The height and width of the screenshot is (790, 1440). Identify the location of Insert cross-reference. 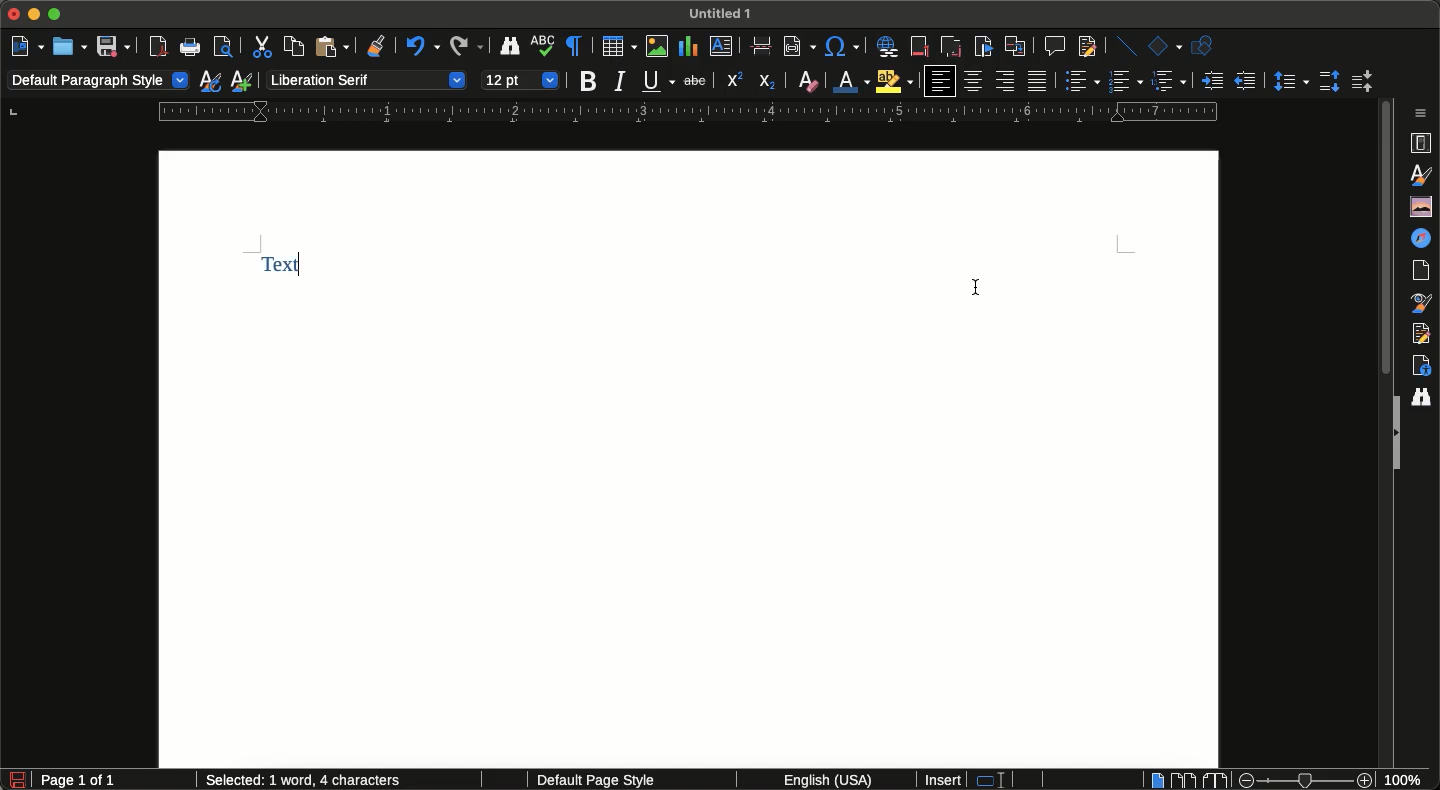
(1014, 46).